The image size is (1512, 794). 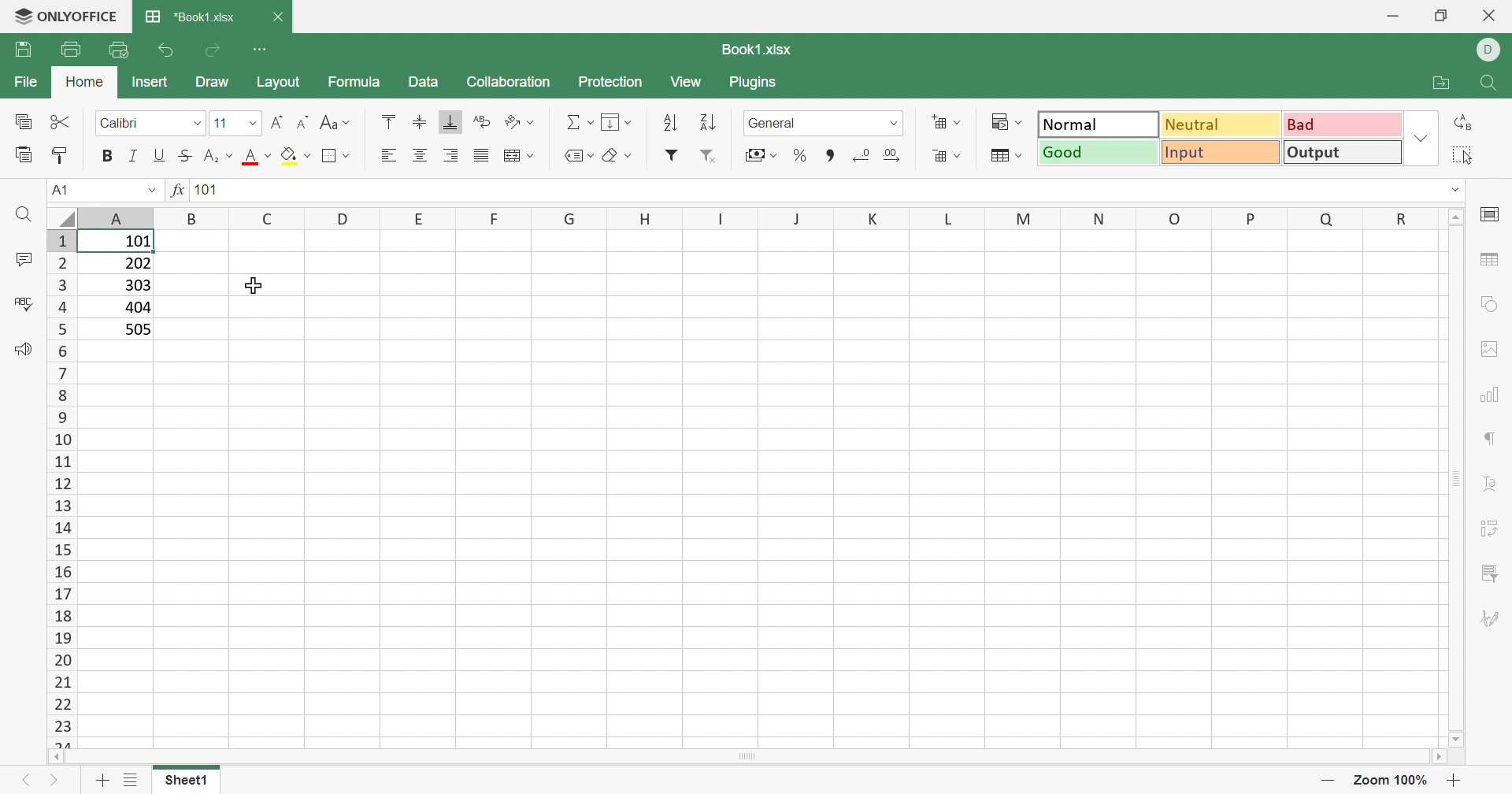 What do you see at coordinates (1451, 735) in the screenshot?
I see `Scroll Down` at bounding box center [1451, 735].